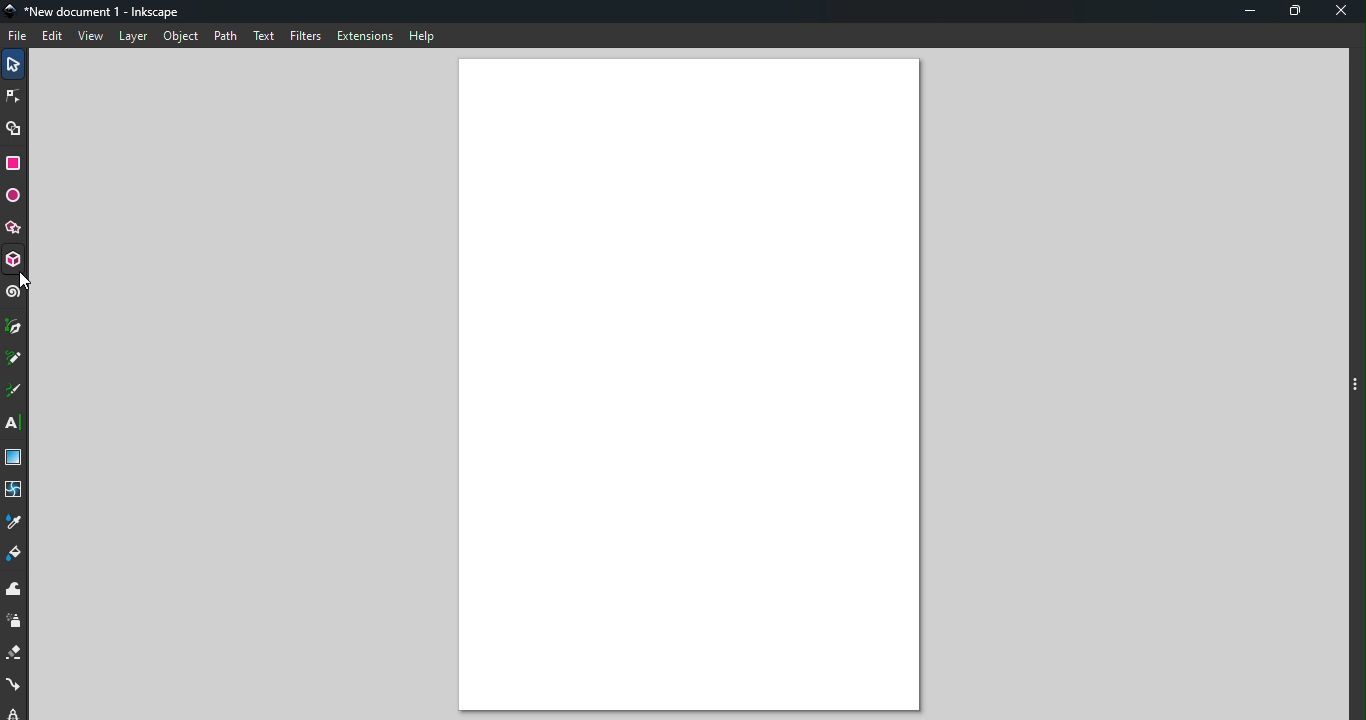  What do you see at coordinates (17, 425) in the screenshot?
I see `Text tool` at bounding box center [17, 425].